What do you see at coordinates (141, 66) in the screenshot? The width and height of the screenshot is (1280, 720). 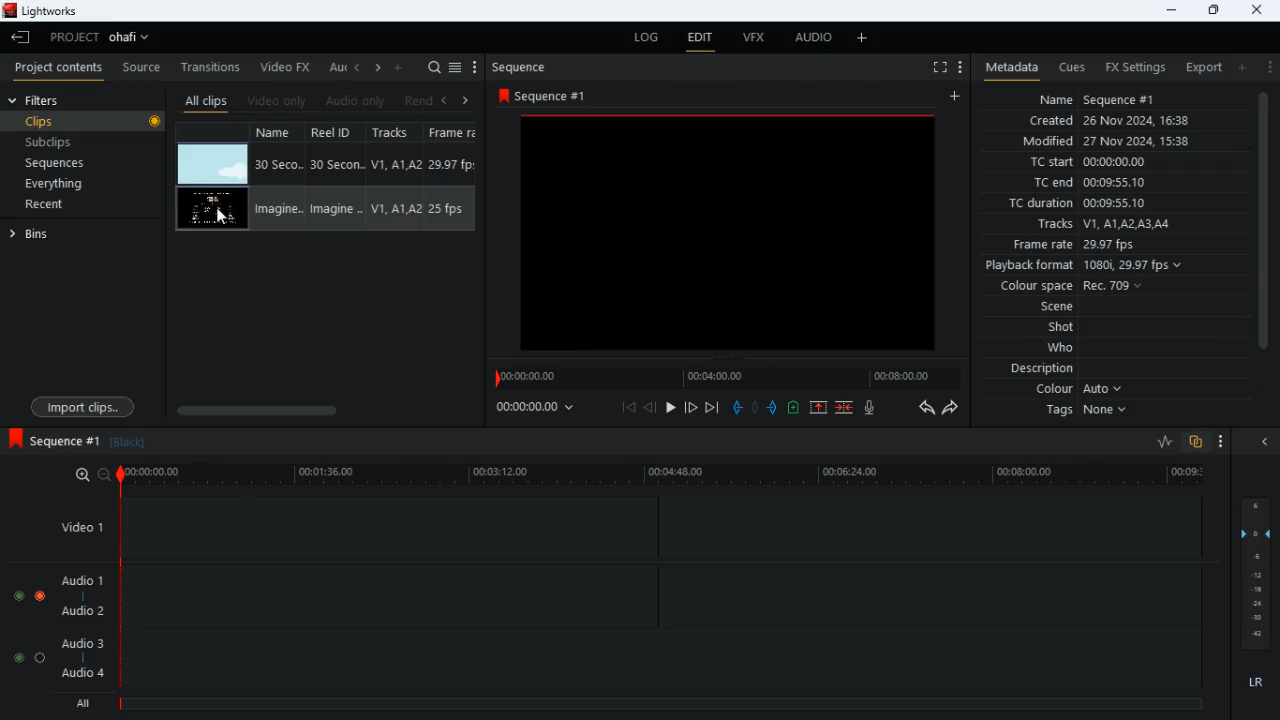 I see `source` at bounding box center [141, 66].